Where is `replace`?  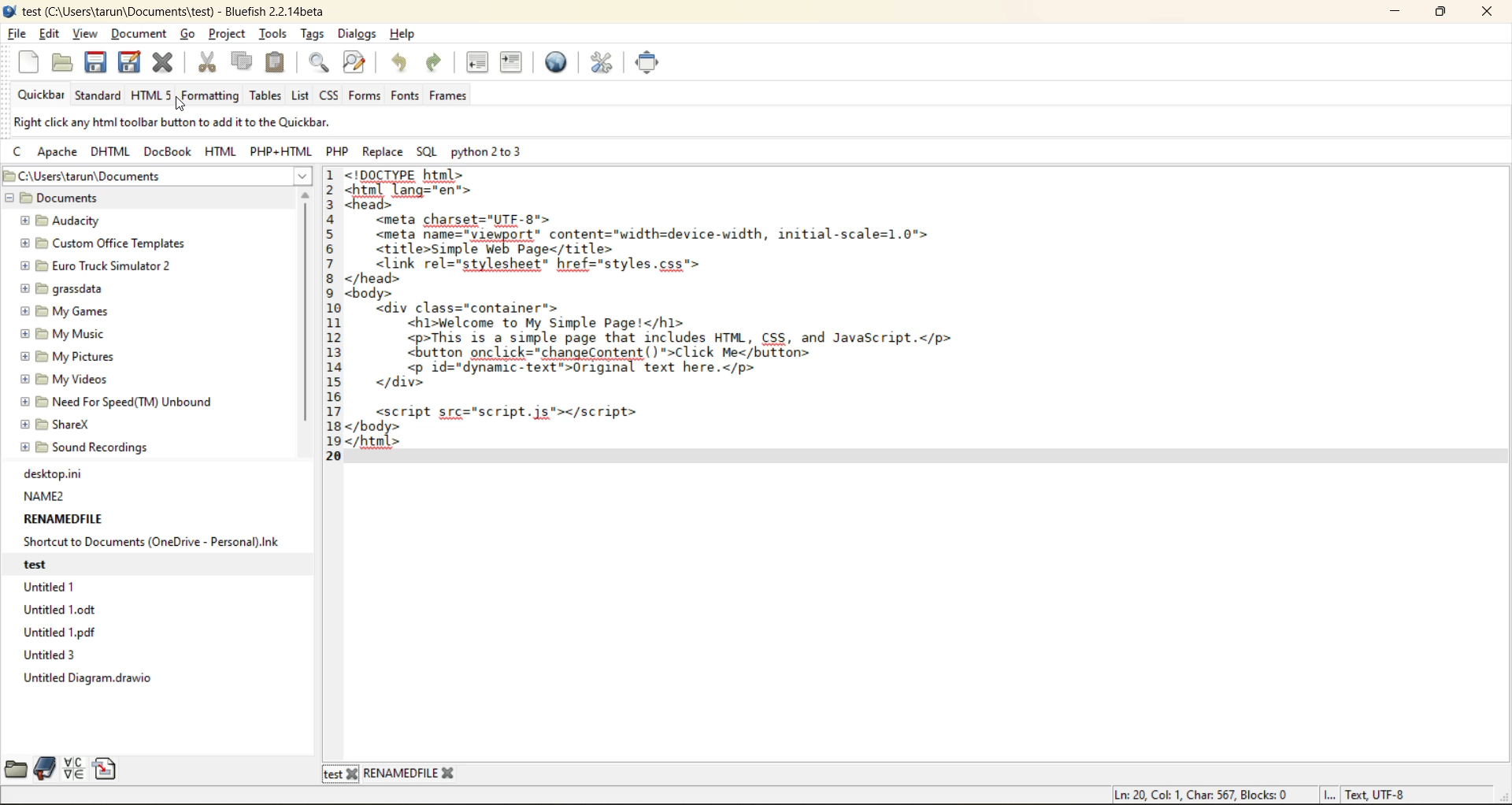
replace is located at coordinates (382, 147).